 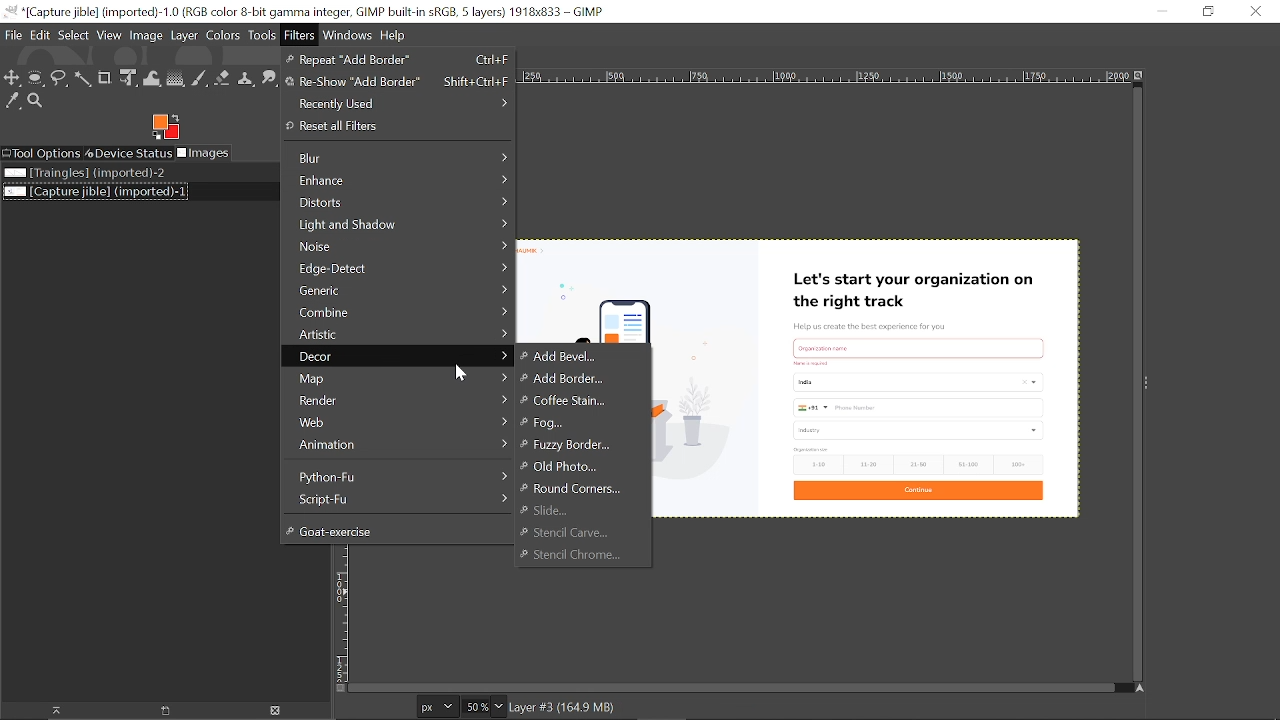 What do you see at coordinates (348, 35) in the screenshot?
I see `Windows` at bounding box center [348, 35].